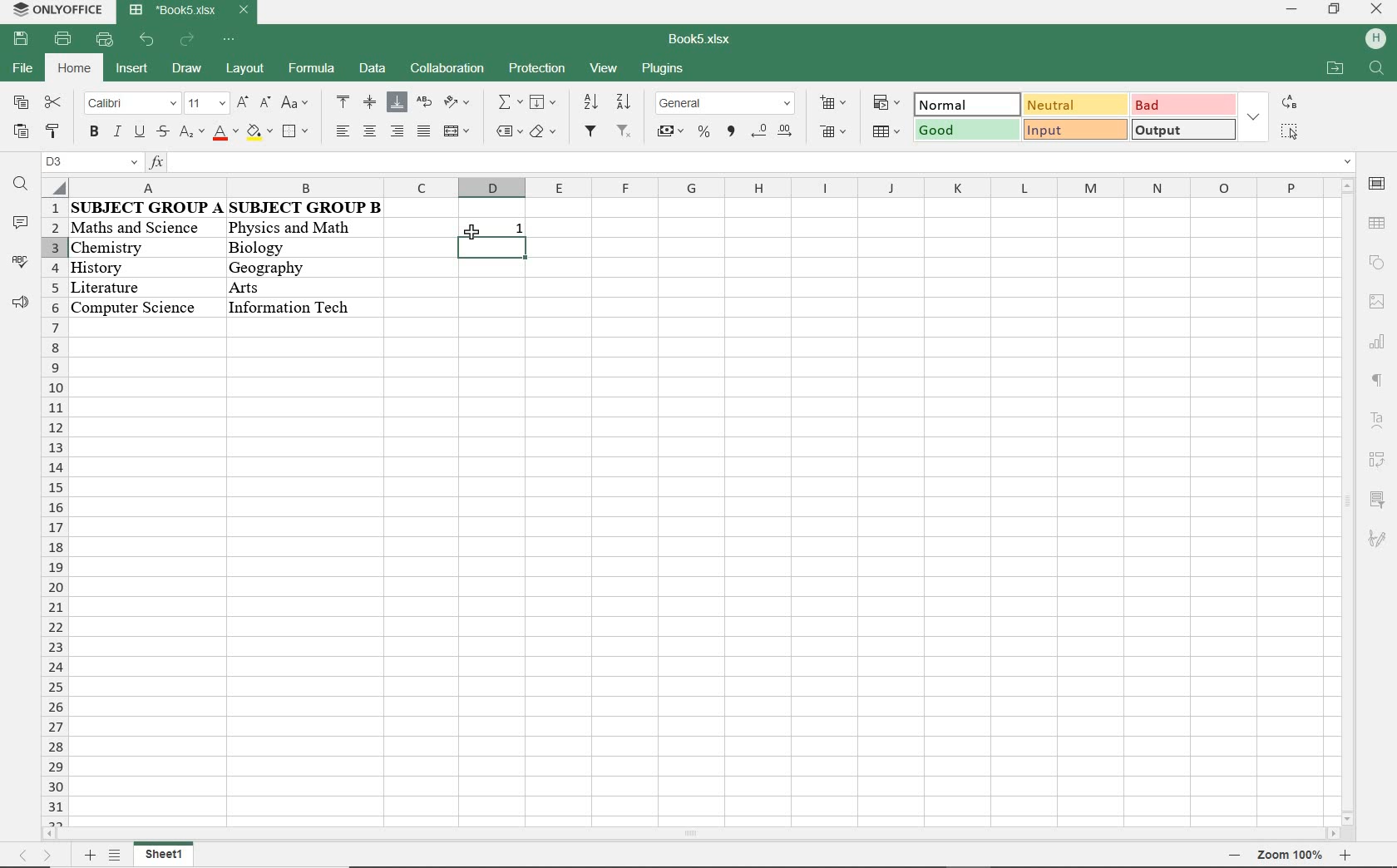 Image resolution: width=1397 pixels, height=868 pixels. What do you see at coordinates (1372, 417) in the screenshot?
I see `sign` at bounding box center [1372, 417].